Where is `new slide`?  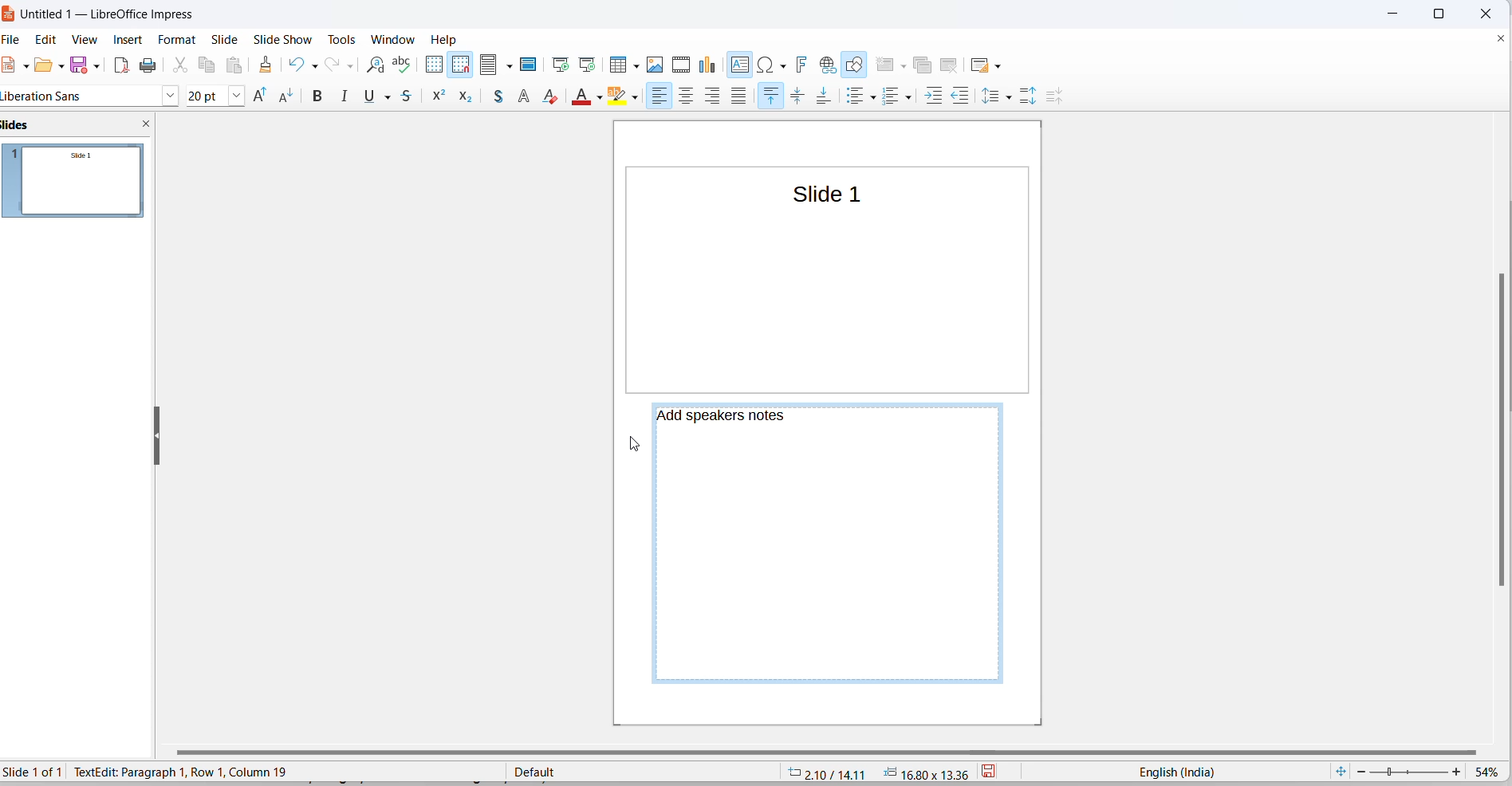
new slide is located at coordinates (884, 64).